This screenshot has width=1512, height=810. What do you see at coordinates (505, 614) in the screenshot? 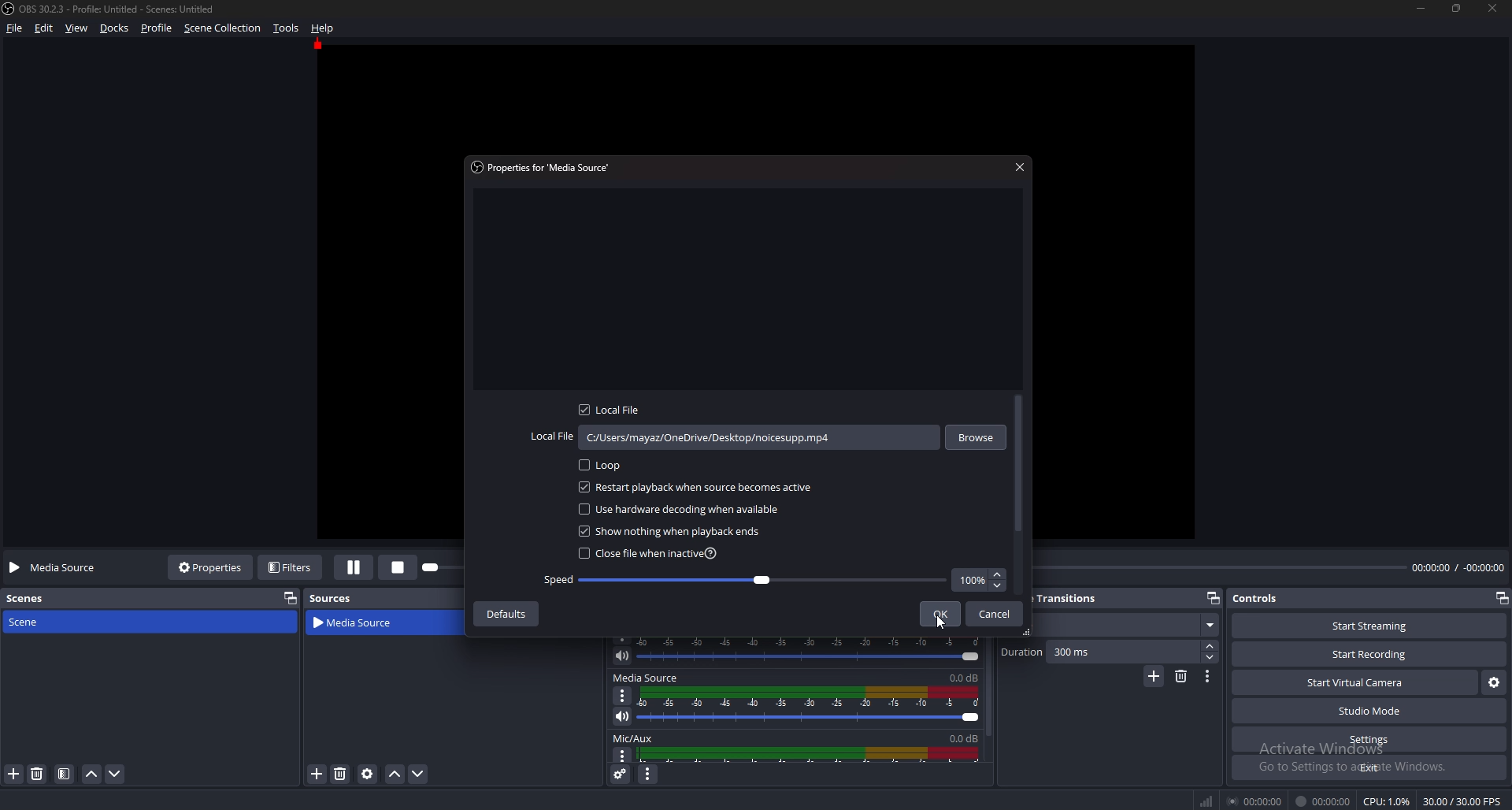
I see `Defaults` at bounding box center [505, 614].